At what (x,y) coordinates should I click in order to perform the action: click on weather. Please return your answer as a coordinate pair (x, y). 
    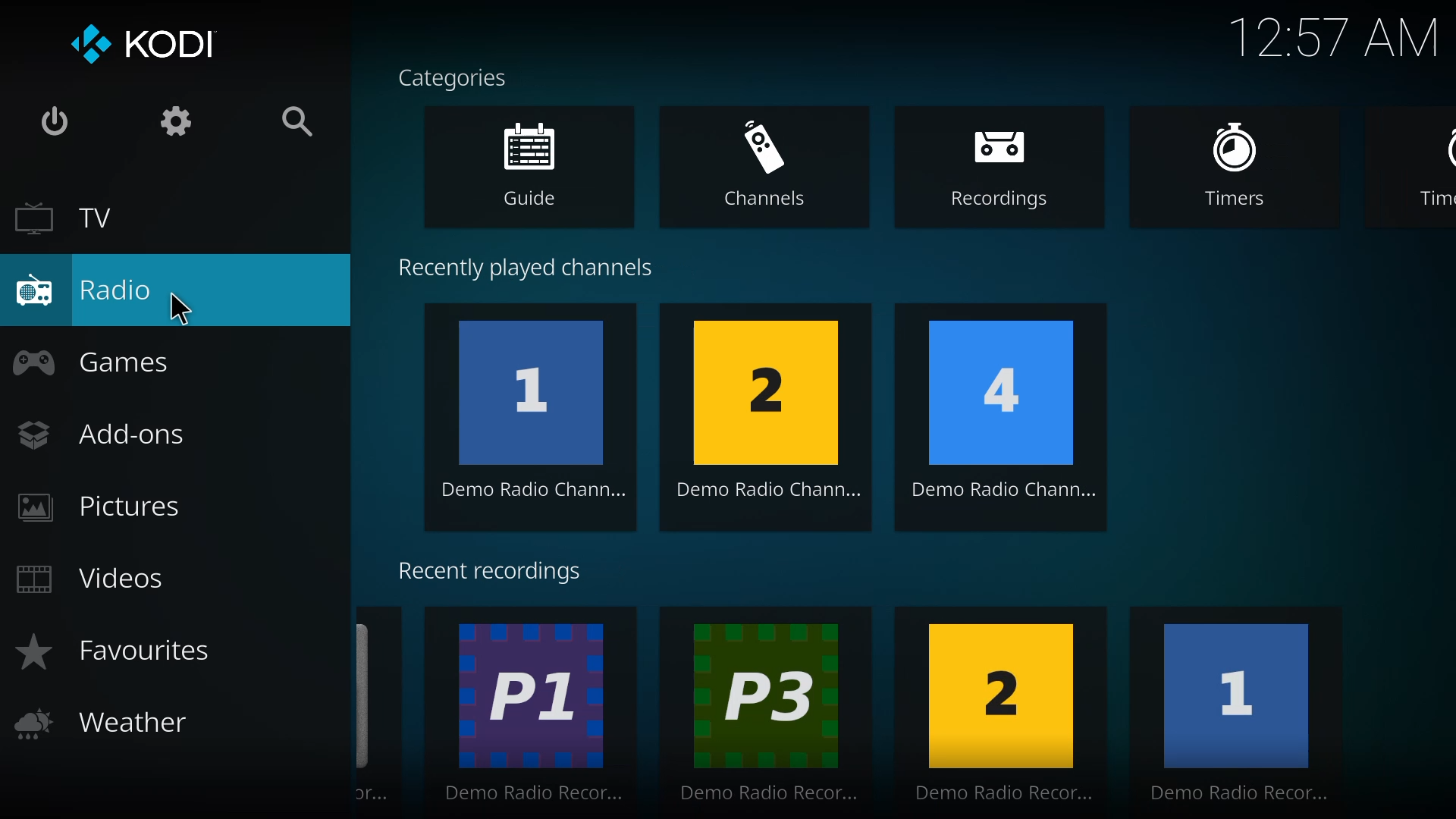
    Looking at the image, I should click on (105, 724).